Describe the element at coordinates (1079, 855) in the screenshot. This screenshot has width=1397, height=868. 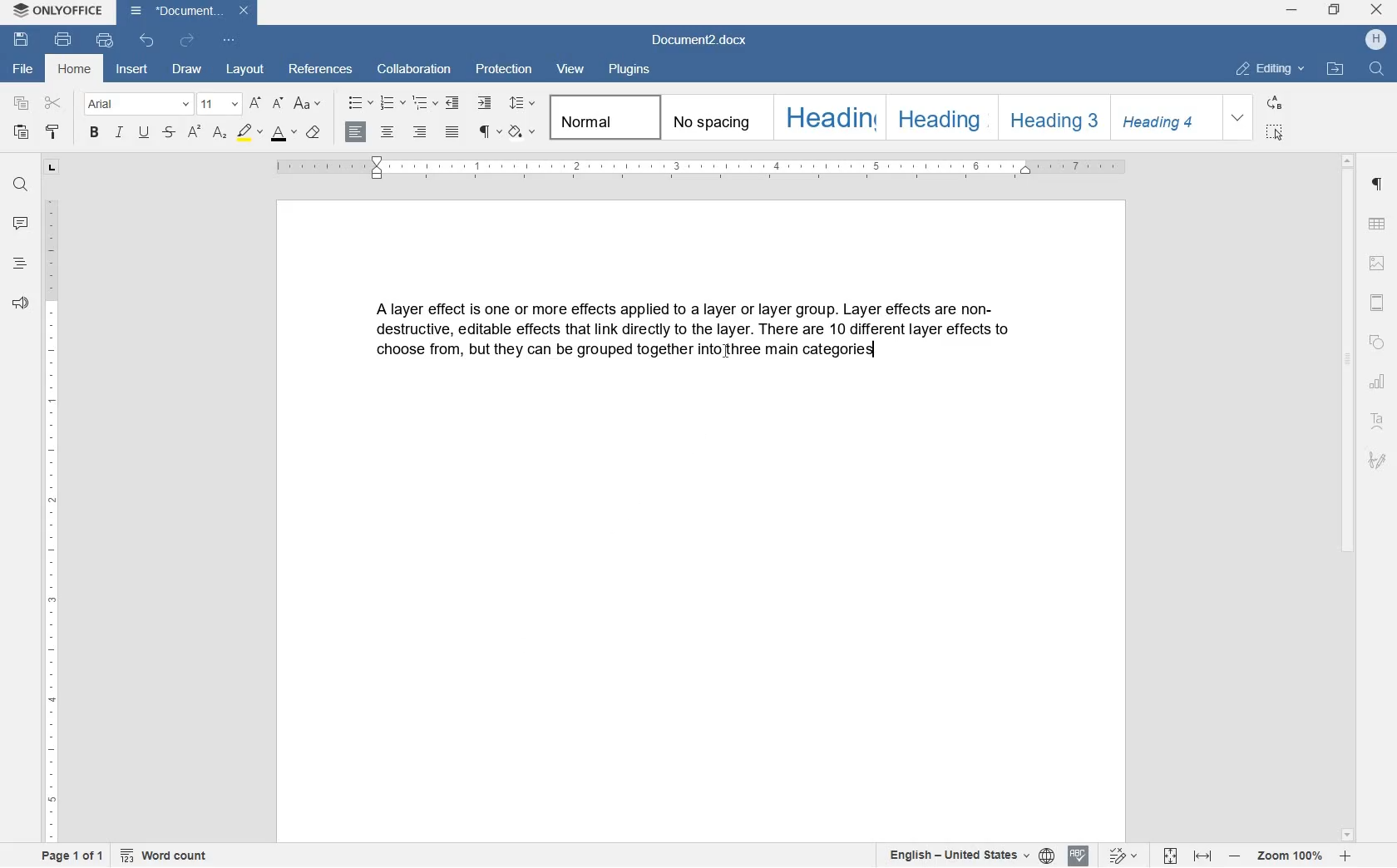
I see `spell checking` at that location.